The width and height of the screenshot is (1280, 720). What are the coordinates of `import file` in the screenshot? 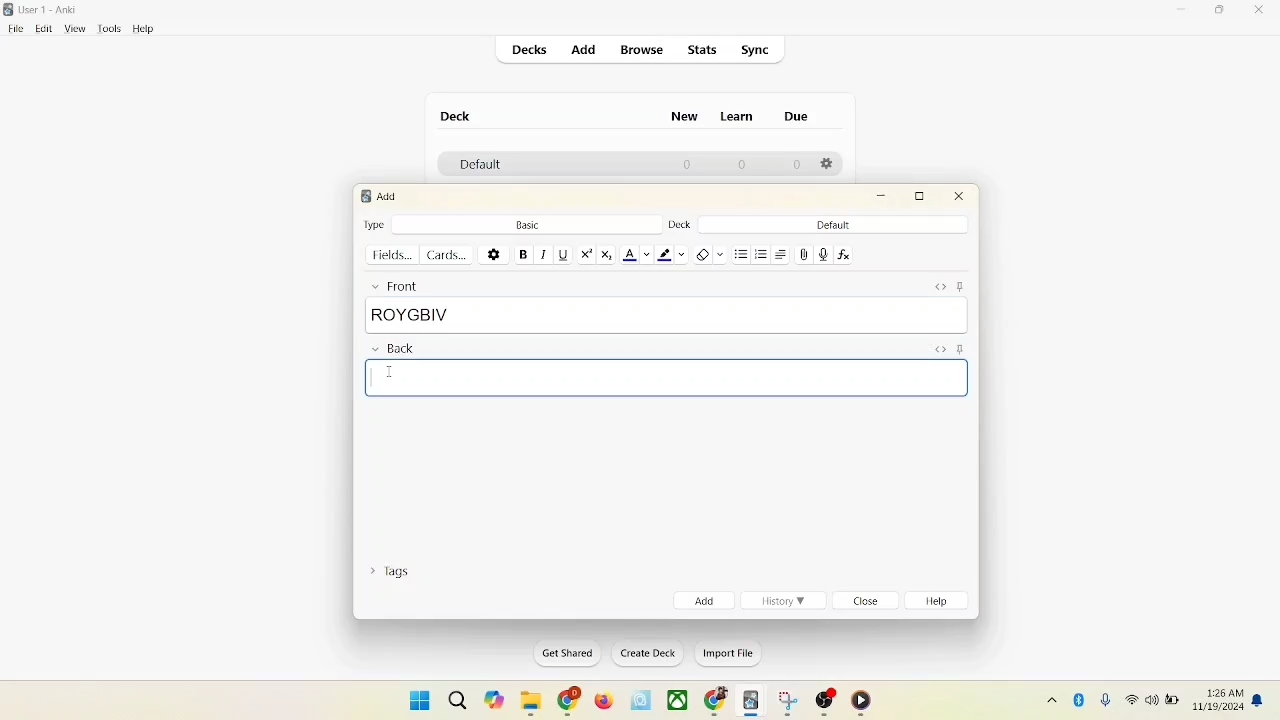 It's located at (726, 656).